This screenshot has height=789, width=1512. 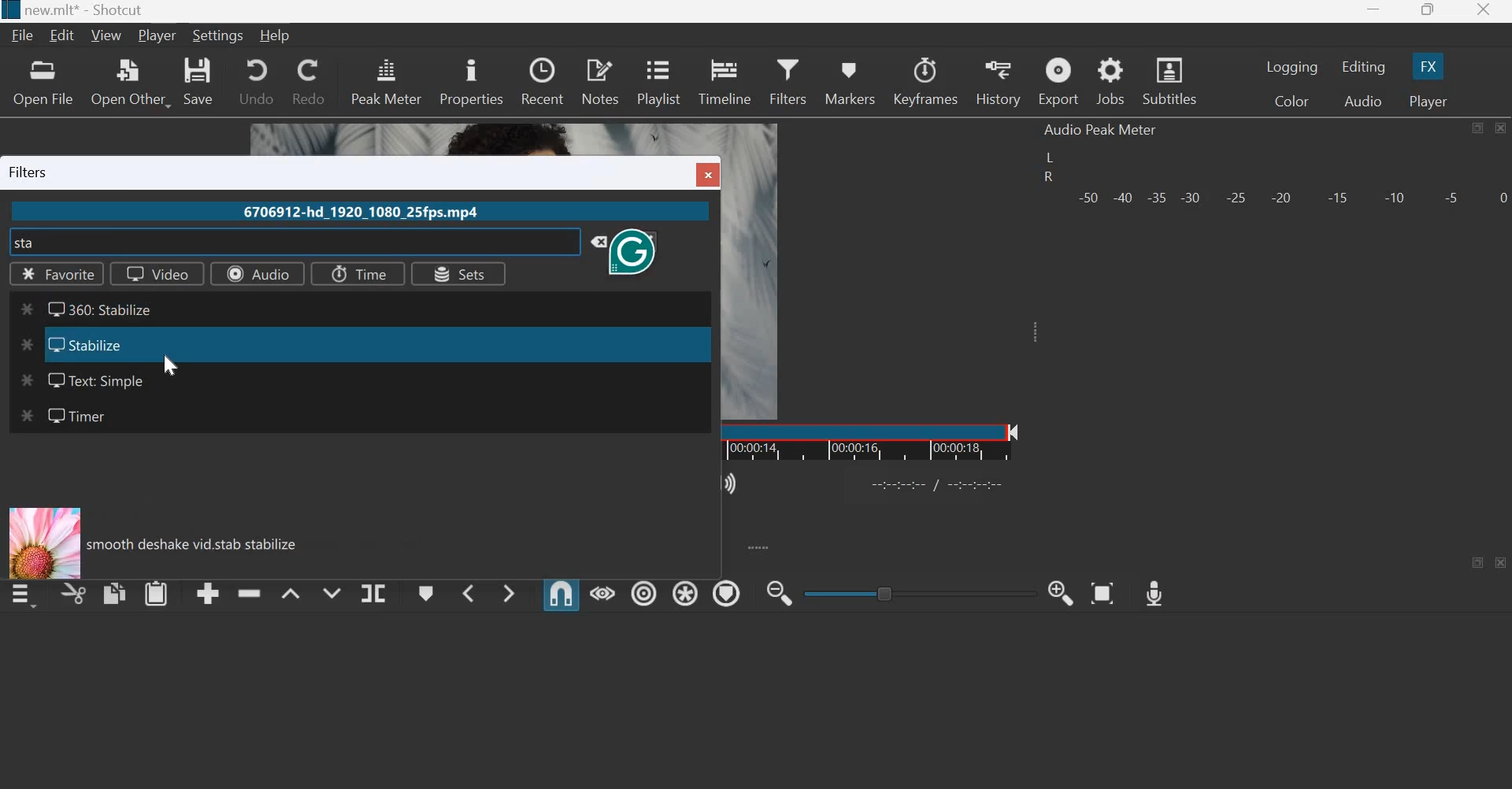 What do you see at coordinates (660, 81) in the screenshot?
I see `Playlist` at bounding box center [660, 81].